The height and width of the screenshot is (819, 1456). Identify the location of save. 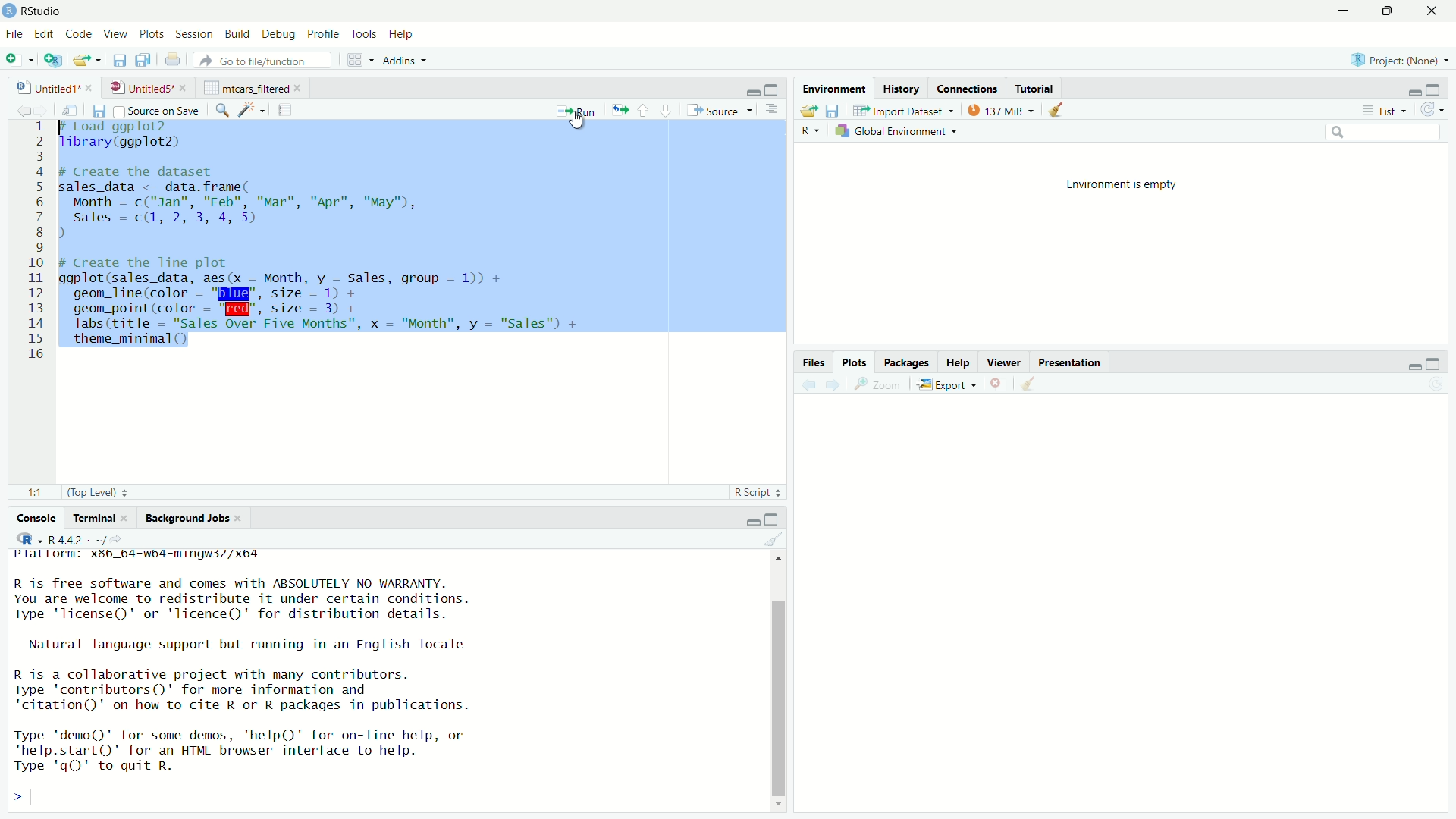
(835, 111).